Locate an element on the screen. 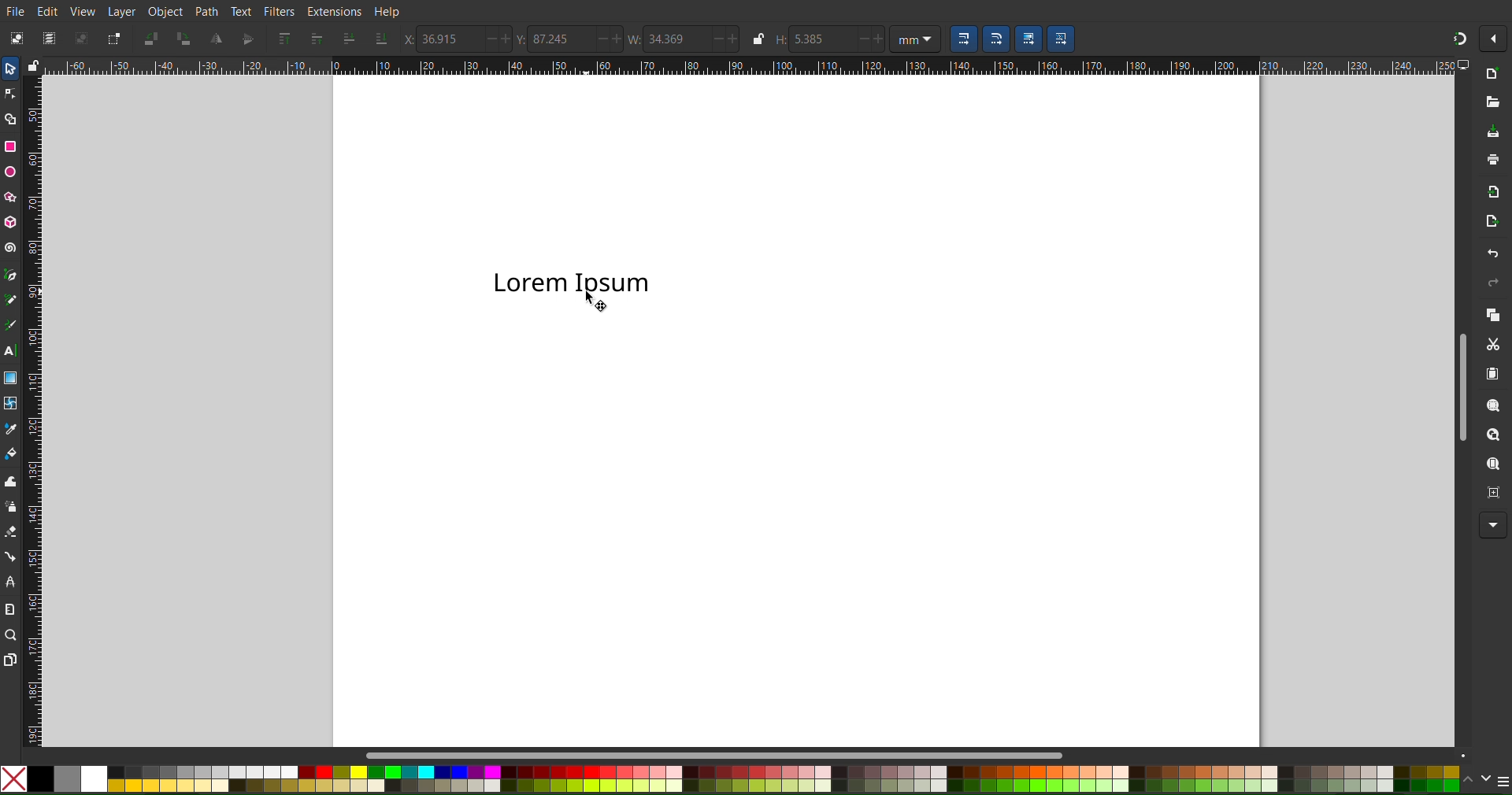  Move one level down is located at coordinates (349, 39).